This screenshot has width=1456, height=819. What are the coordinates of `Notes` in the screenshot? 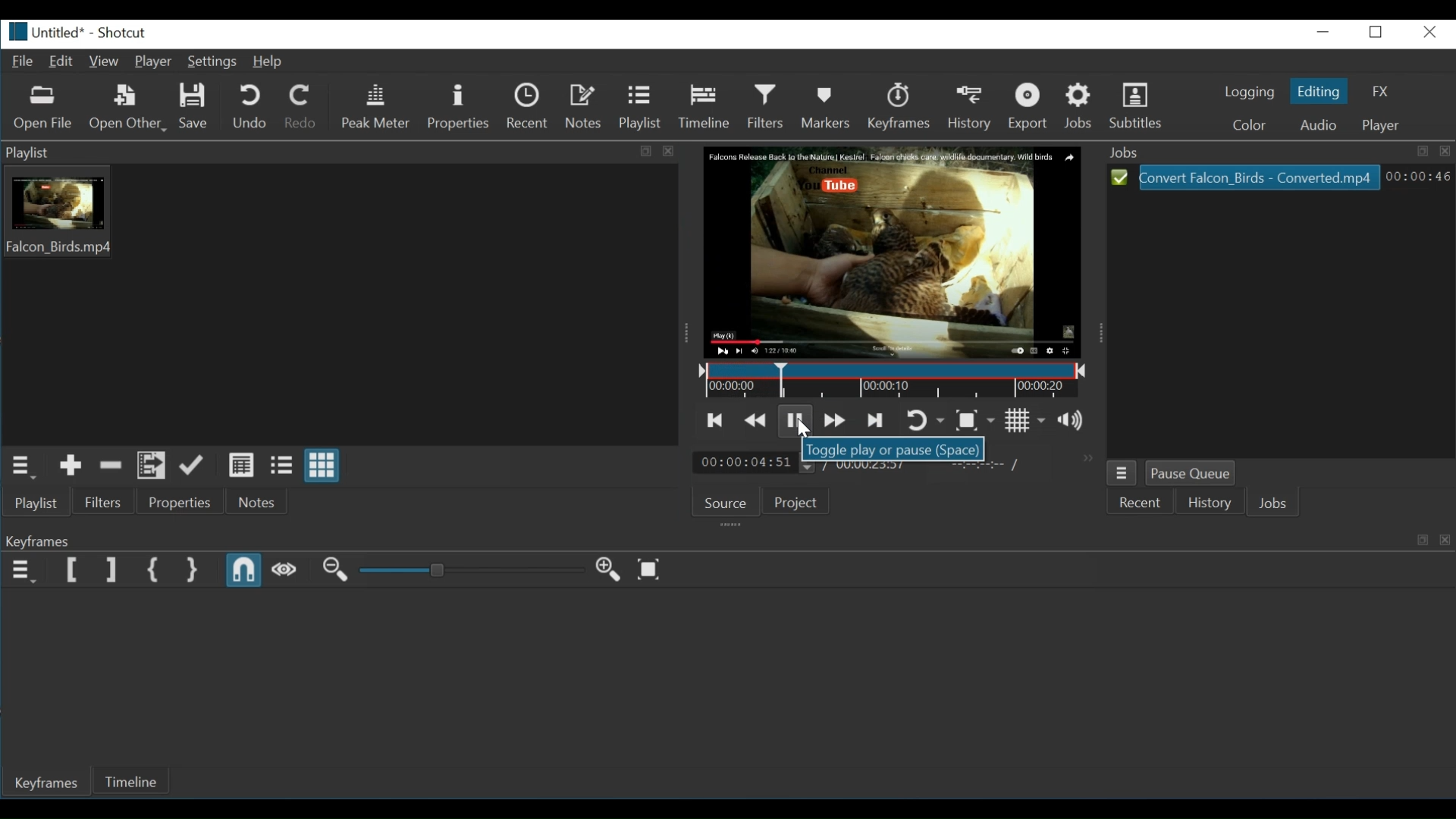 It's located at (254, 500).